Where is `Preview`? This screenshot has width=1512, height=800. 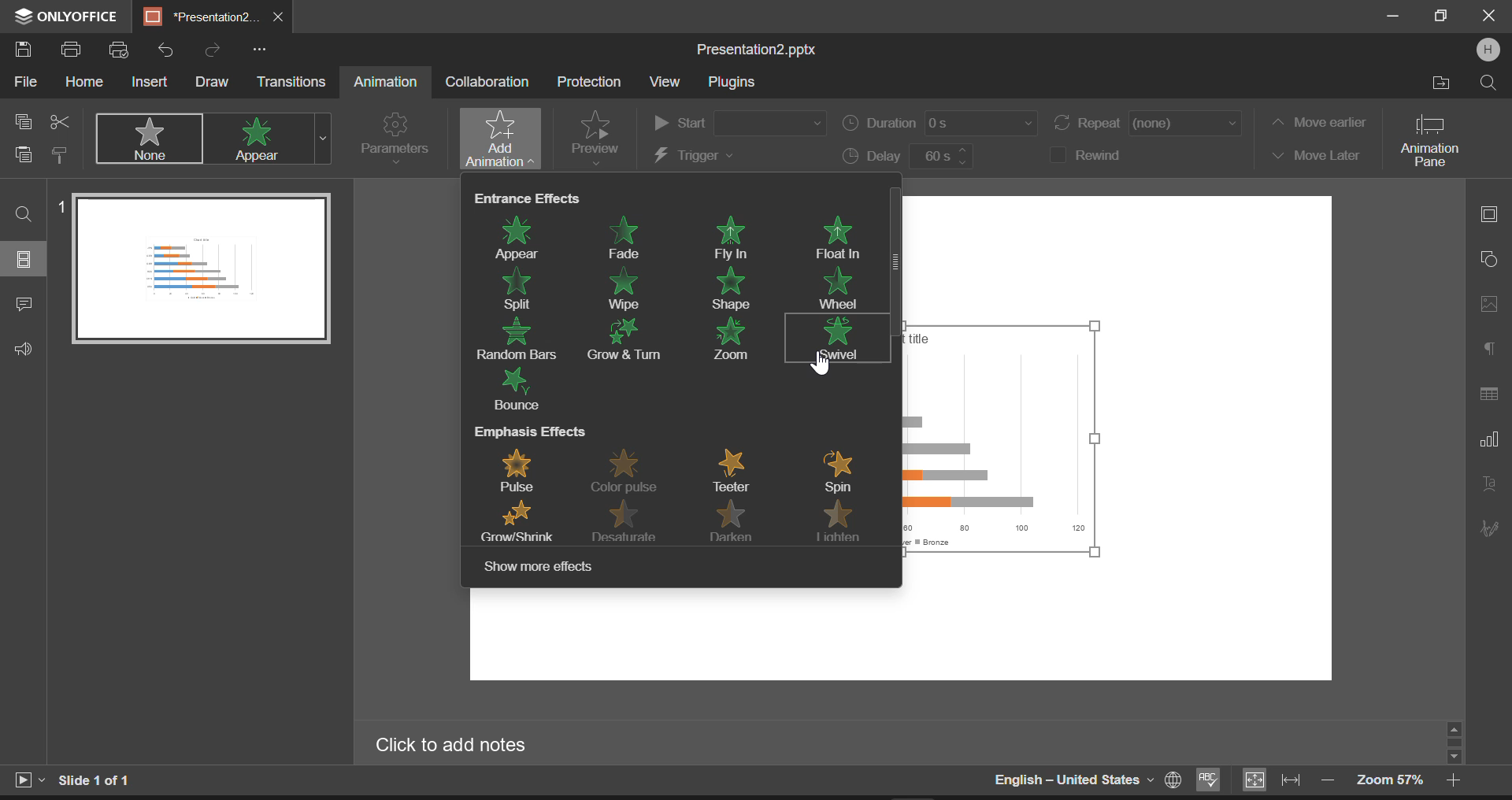
Preview is located at coordinates (595, 136).